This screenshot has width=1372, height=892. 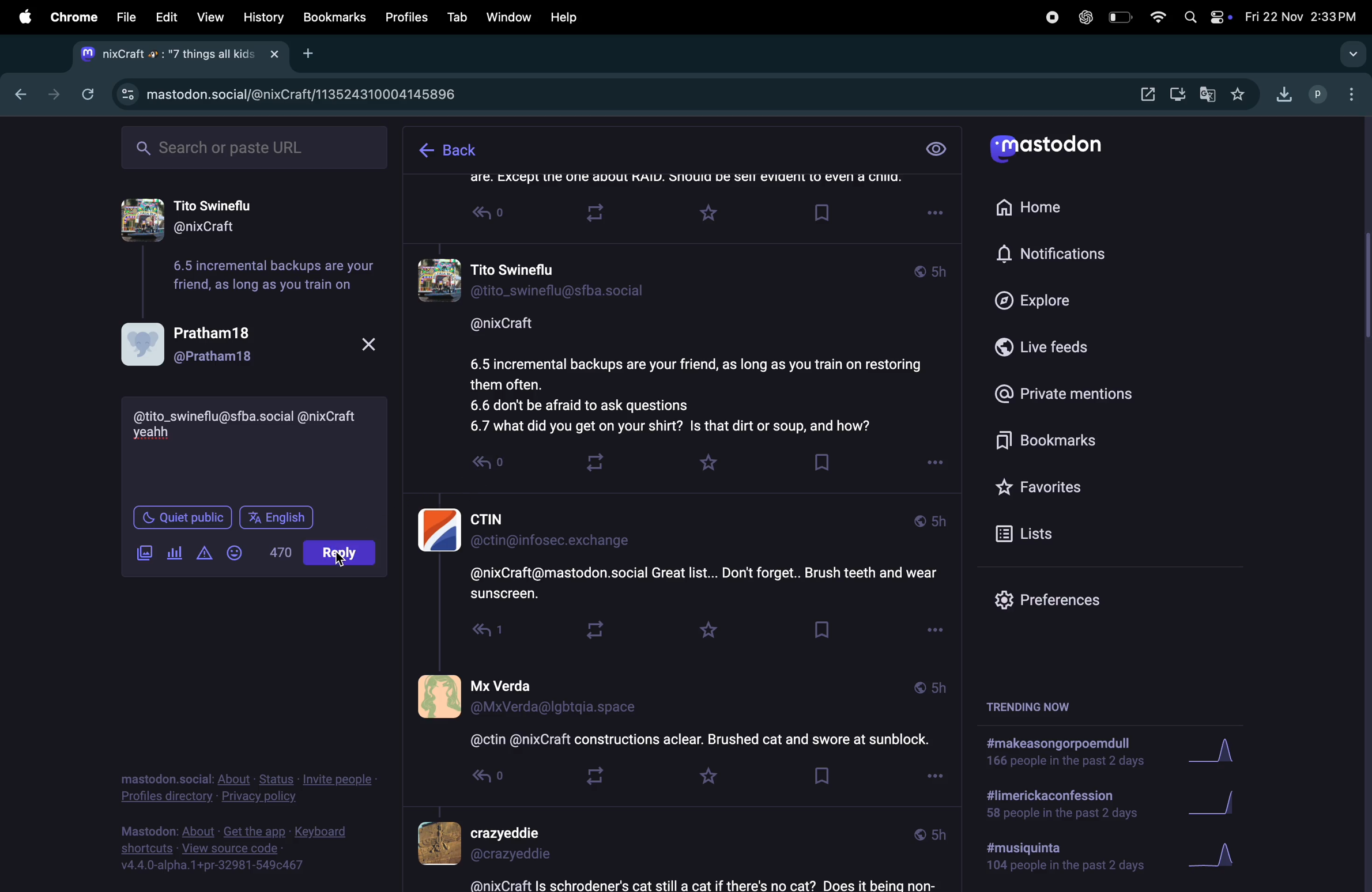 I want to click on prefrences, so click(x=1056, y=600).